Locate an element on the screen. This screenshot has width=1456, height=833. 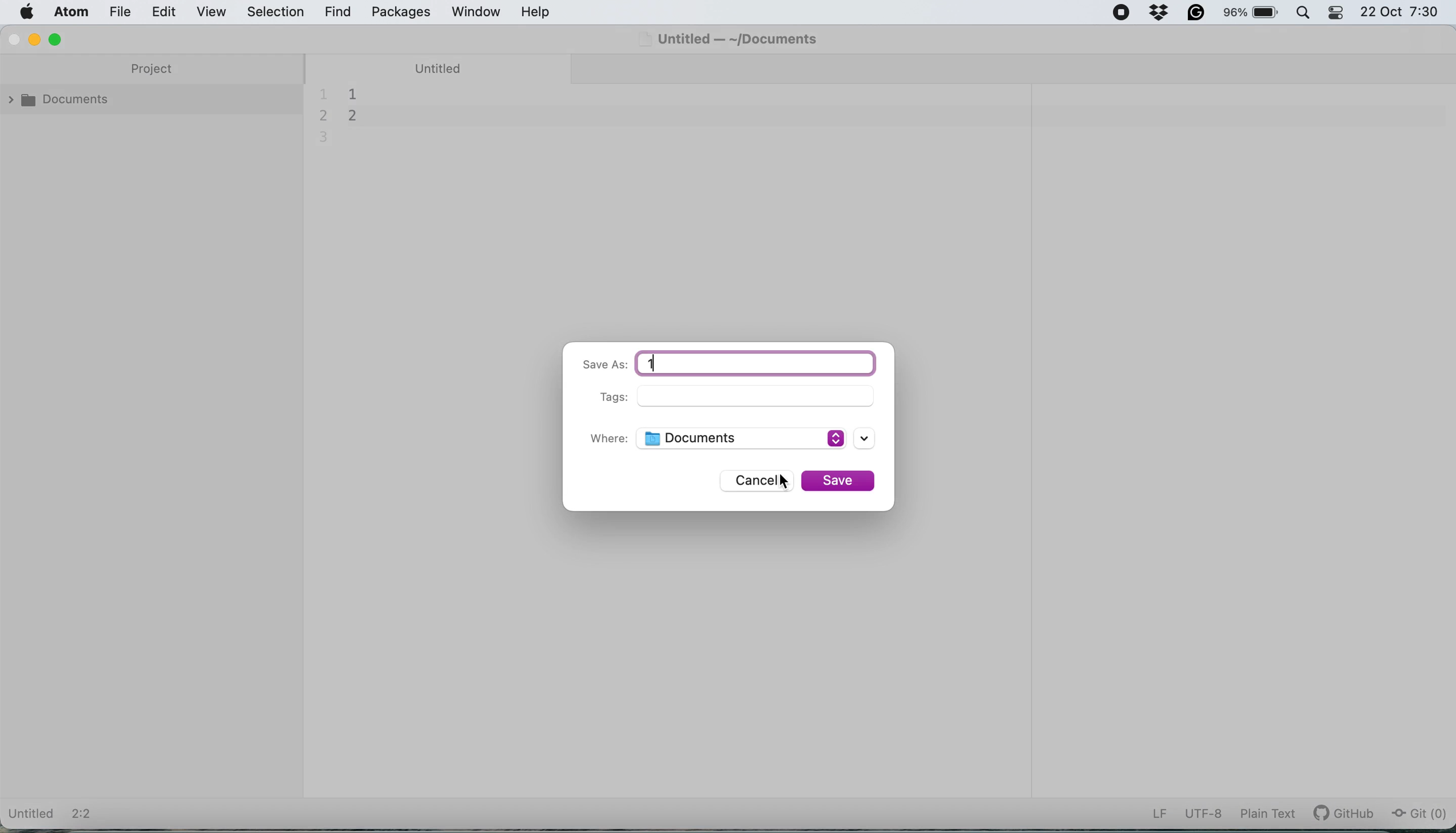
documents is located at coordinates (62, 103).